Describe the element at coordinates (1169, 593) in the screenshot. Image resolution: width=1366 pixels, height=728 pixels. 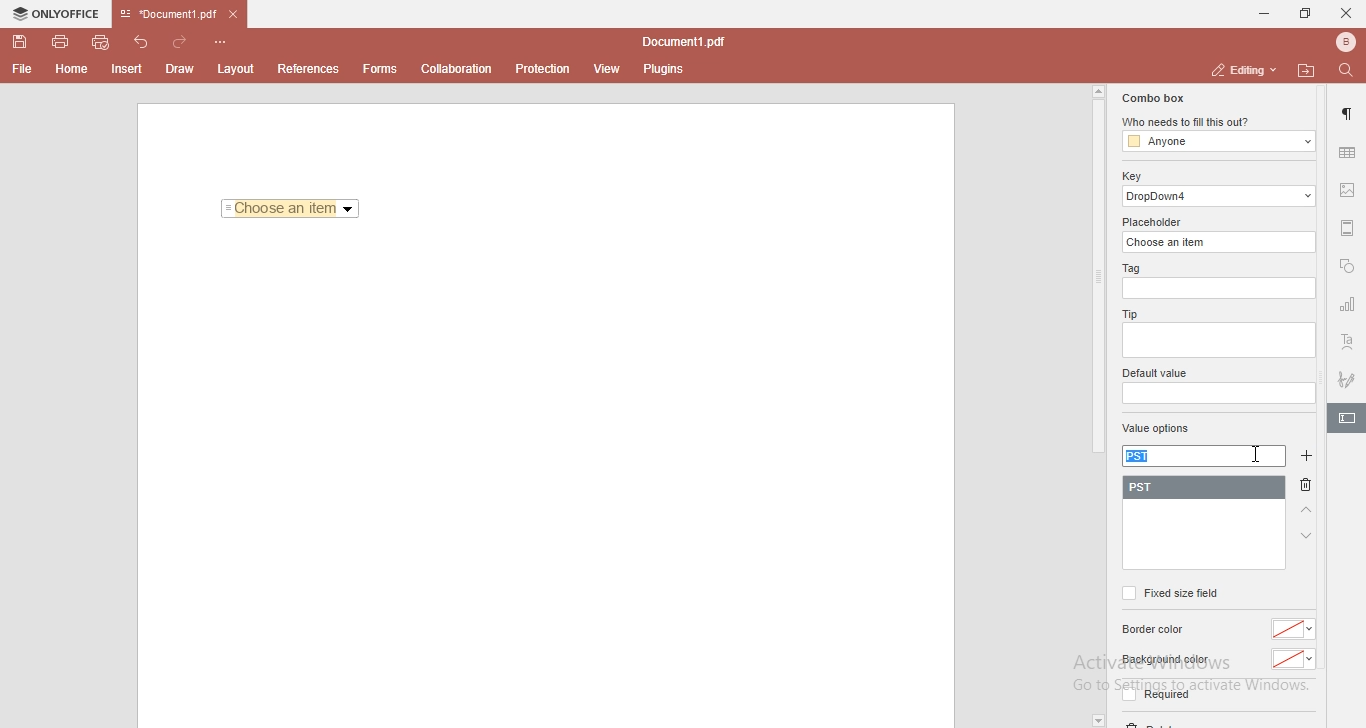
I see `fixed size field` at that location.